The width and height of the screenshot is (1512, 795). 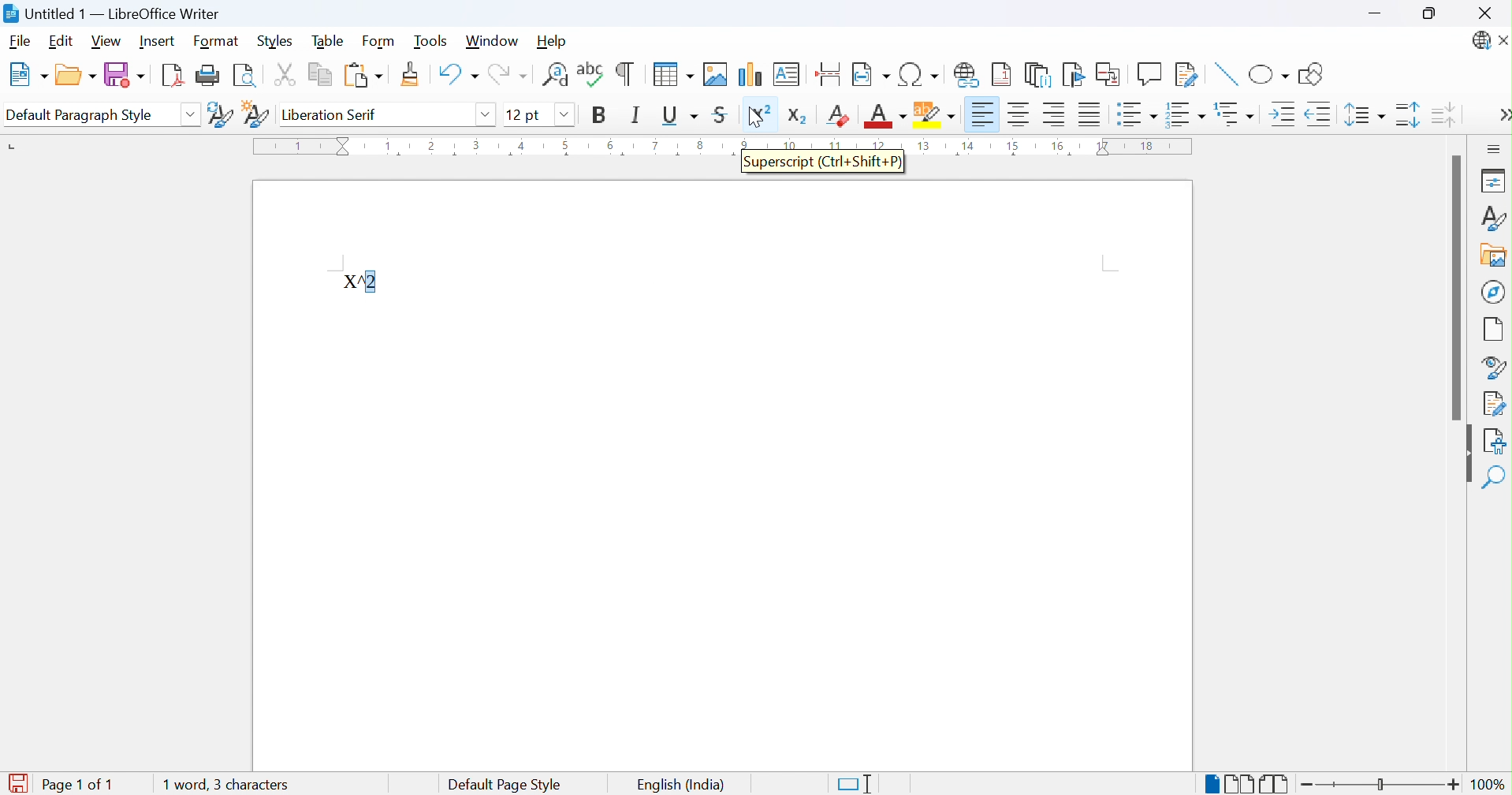 What do you see at coordinates (1492, 366) in the screenshot?
I see `Style inspector` at bounding box center [1492, 366].